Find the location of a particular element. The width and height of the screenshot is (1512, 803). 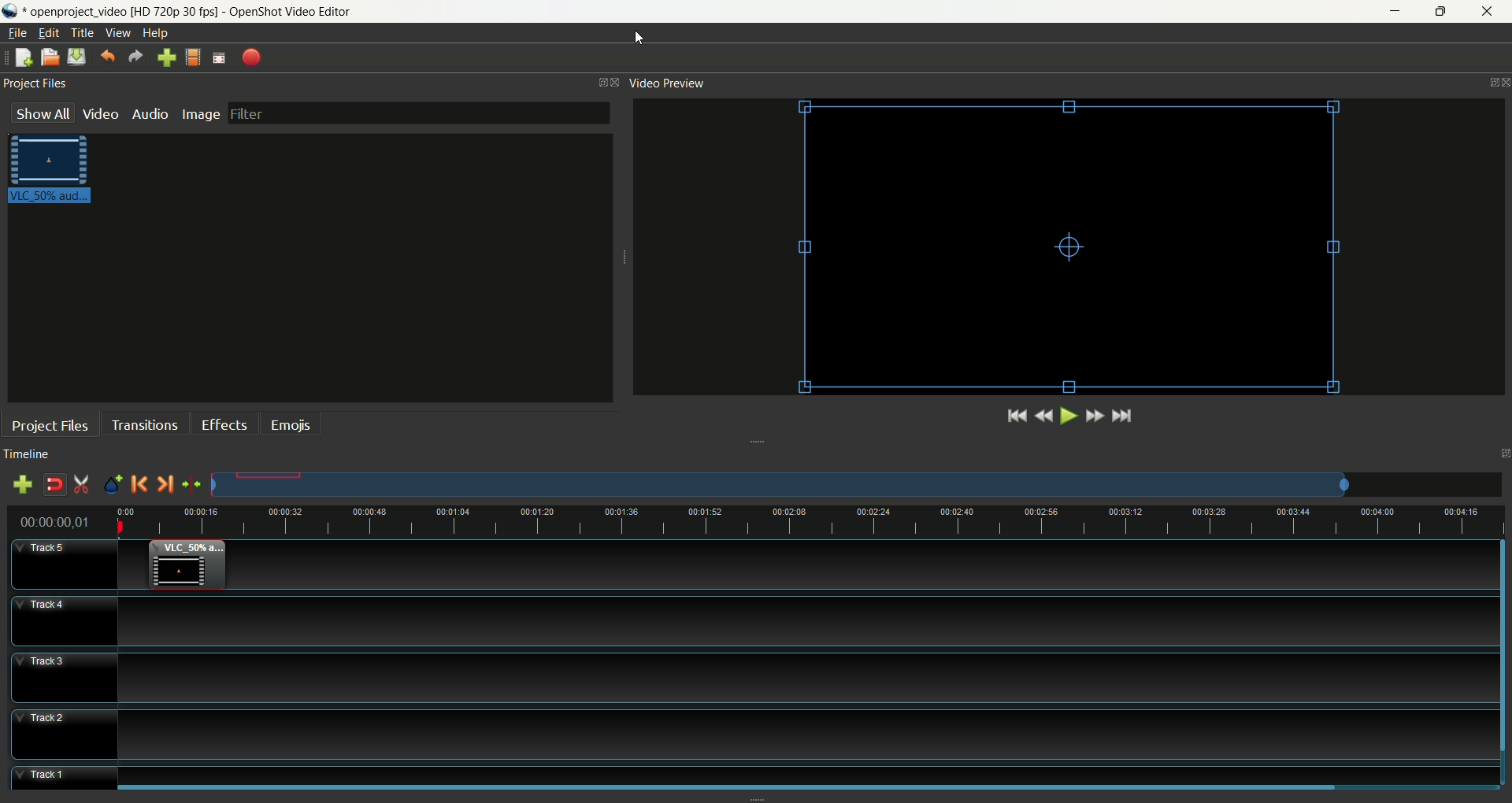

choose profile is located at coordinates (192, 57).